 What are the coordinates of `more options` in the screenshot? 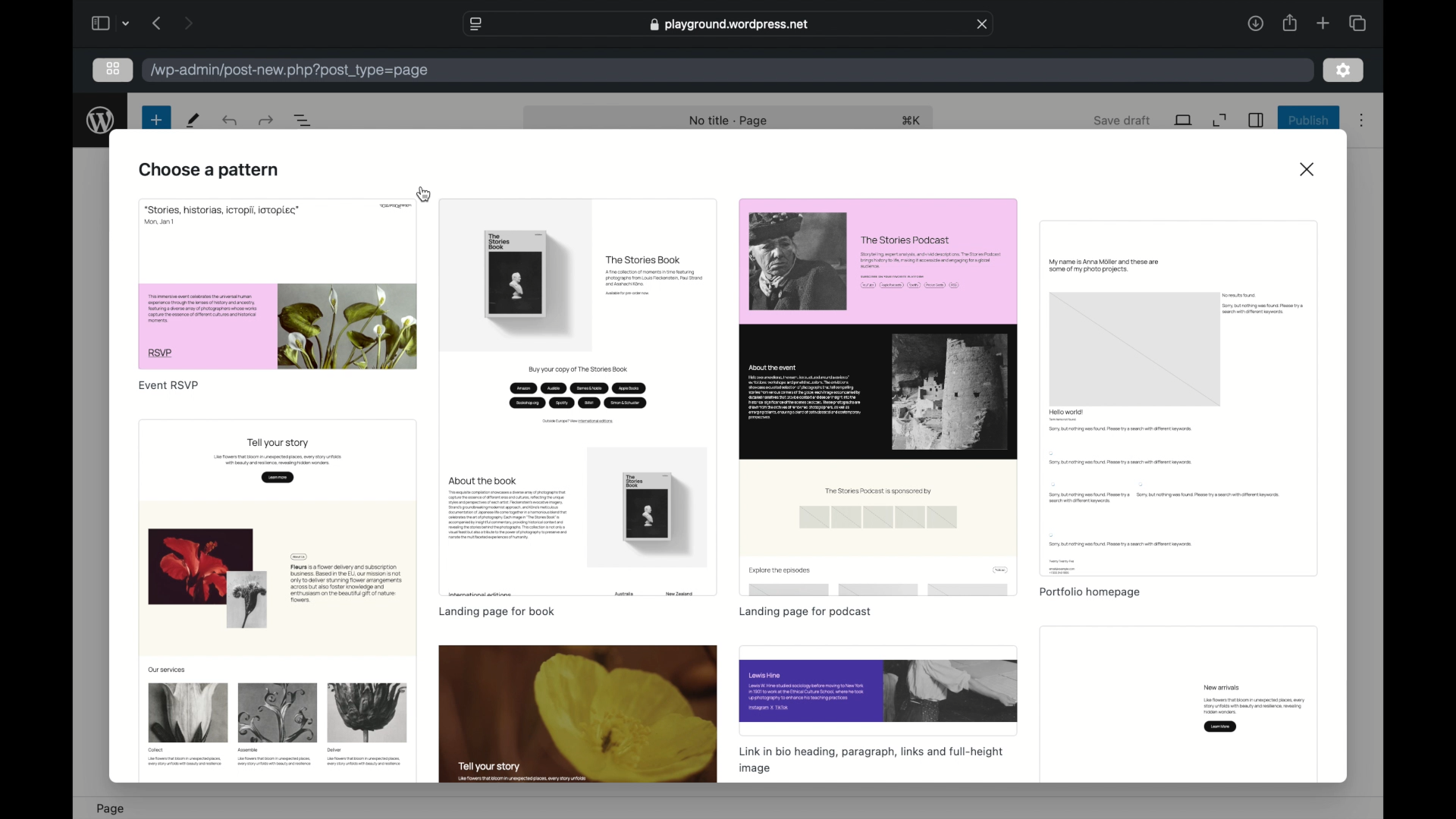 It's located at (1361, 121).